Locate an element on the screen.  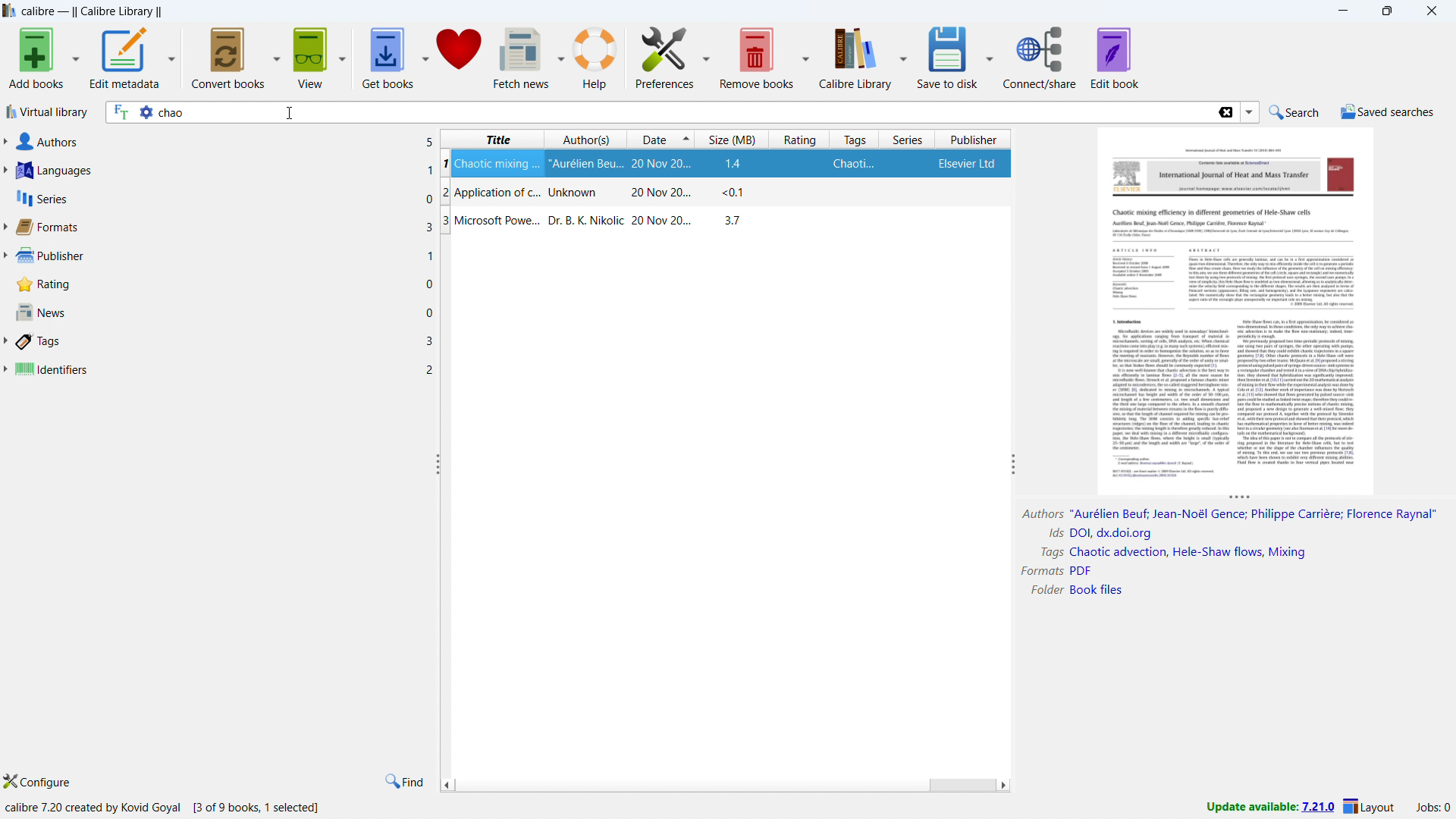
Folder is located at coordinates (1037, 593).